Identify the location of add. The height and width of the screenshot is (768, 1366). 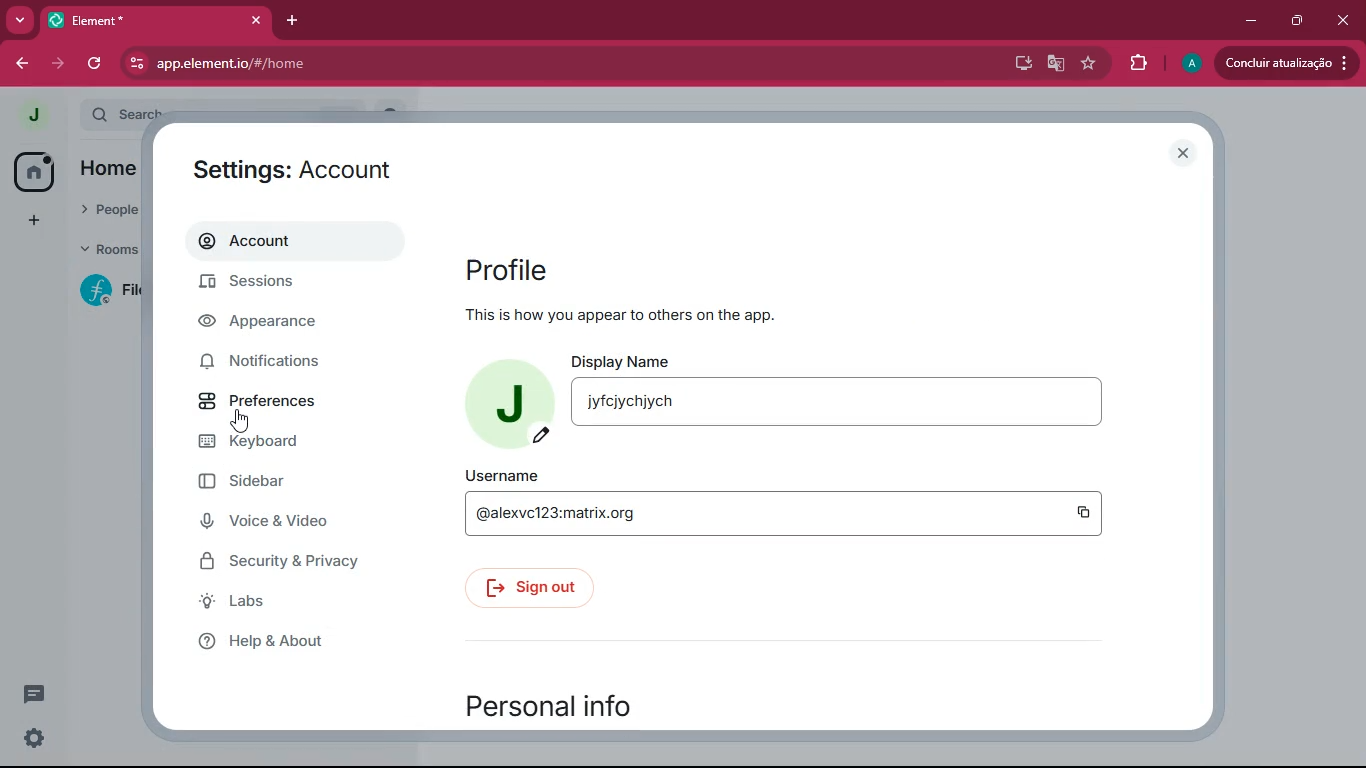
(32, 221).